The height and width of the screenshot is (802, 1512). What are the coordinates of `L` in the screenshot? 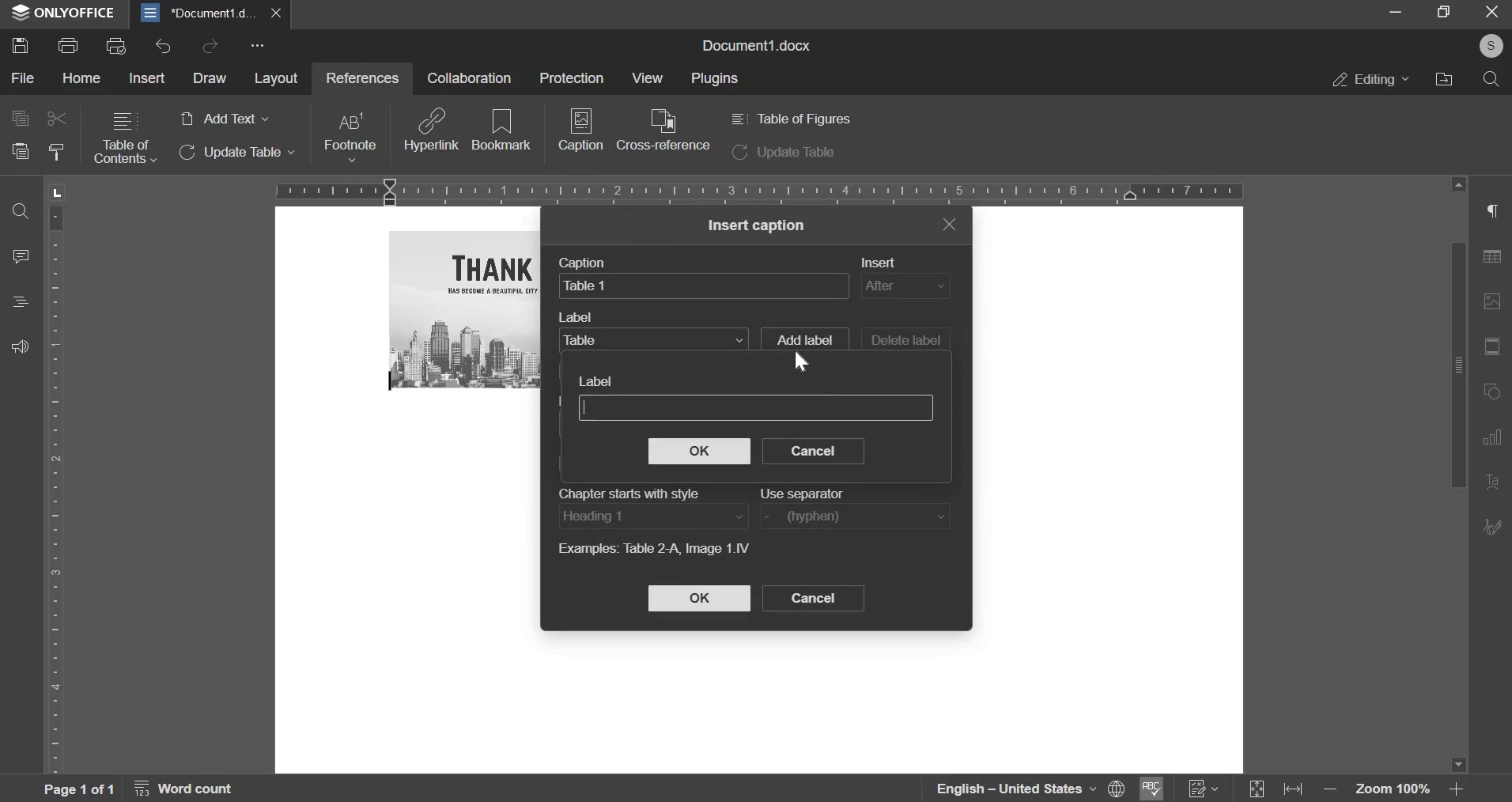 It's located at (59, 191).